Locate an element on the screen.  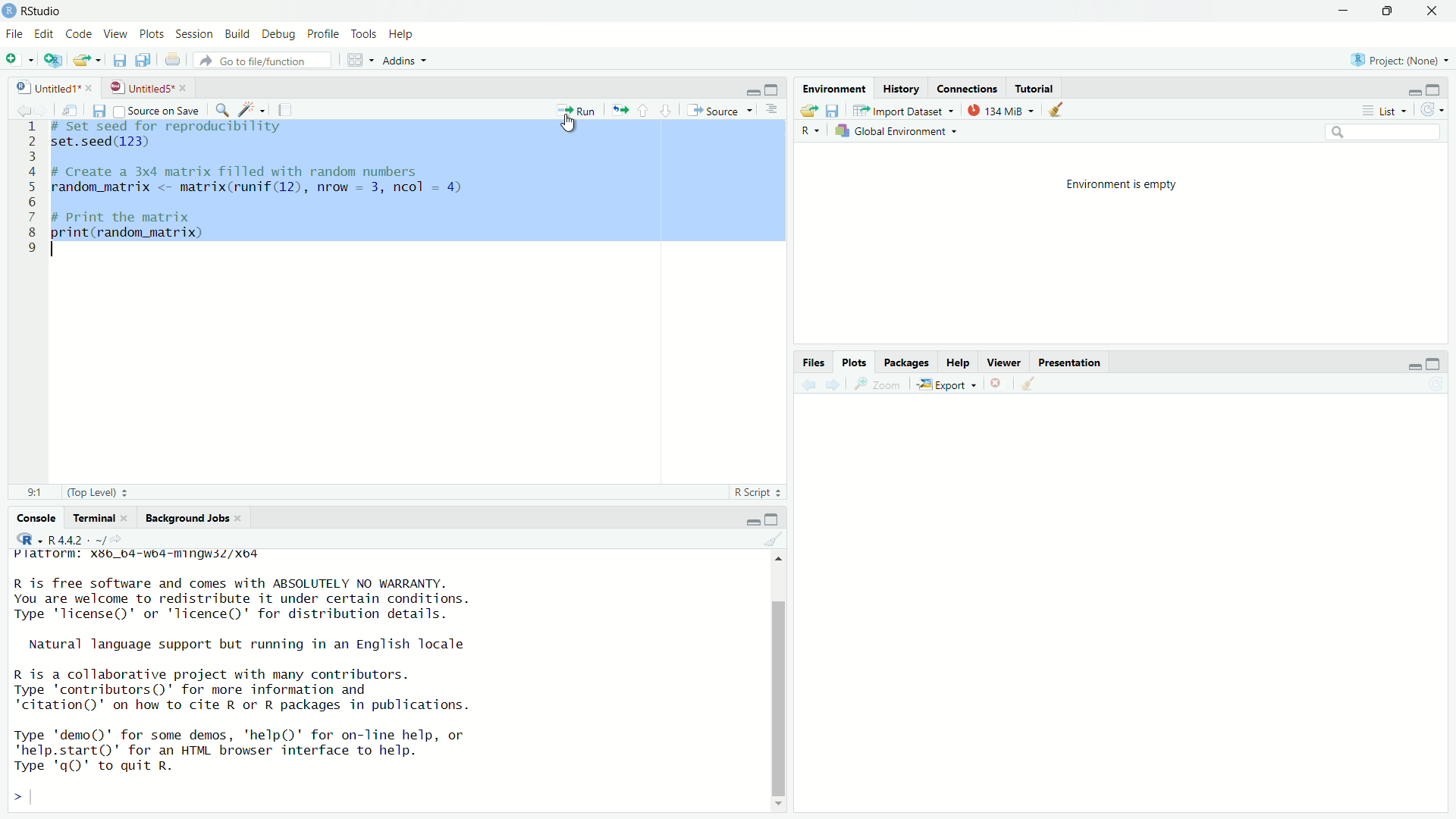
Debug is located at coordinates (279, 33).